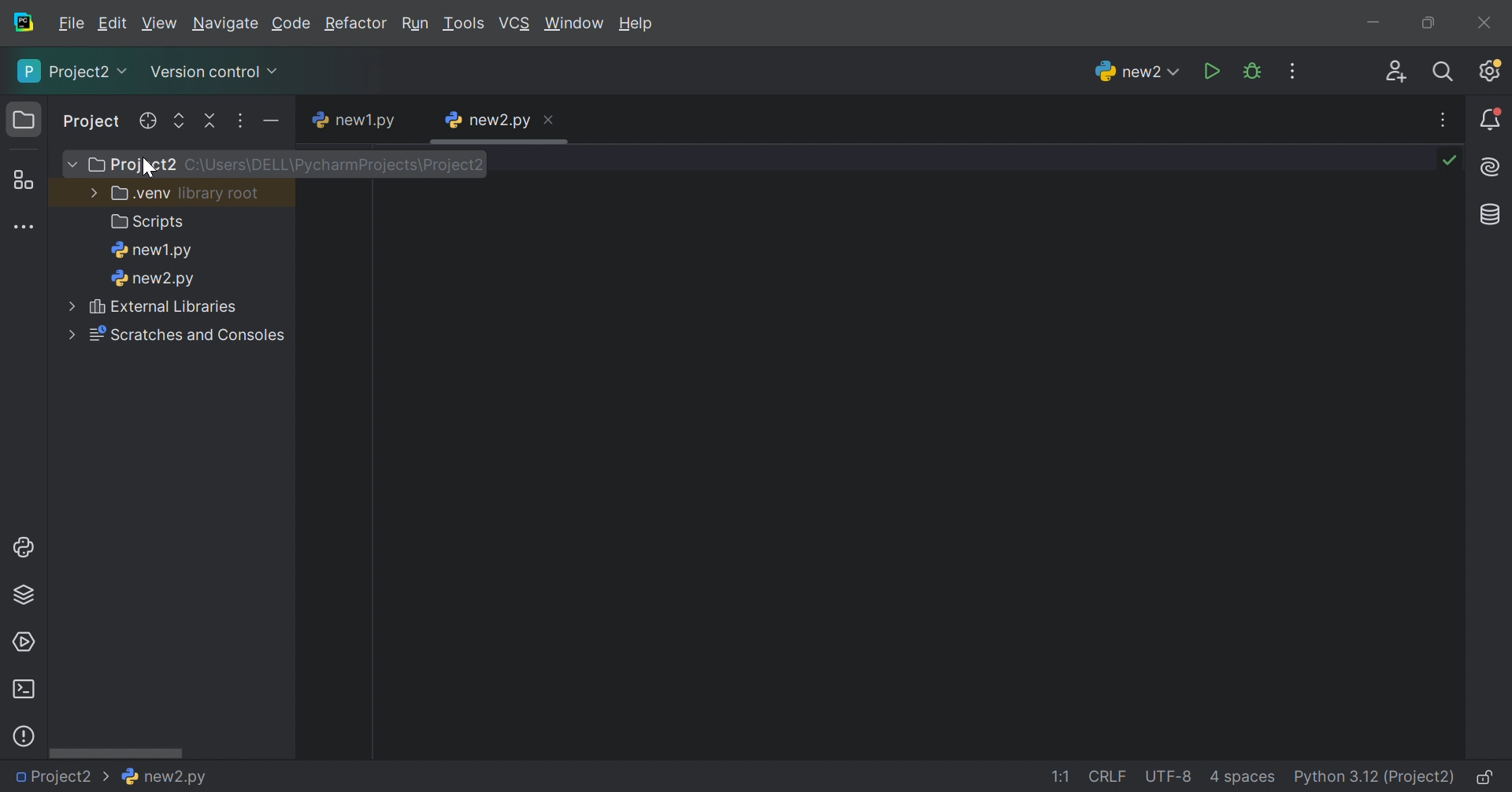 The width and height of the screenshot is (1512, 792). I want to click on Select opened file, so click(149, 120).